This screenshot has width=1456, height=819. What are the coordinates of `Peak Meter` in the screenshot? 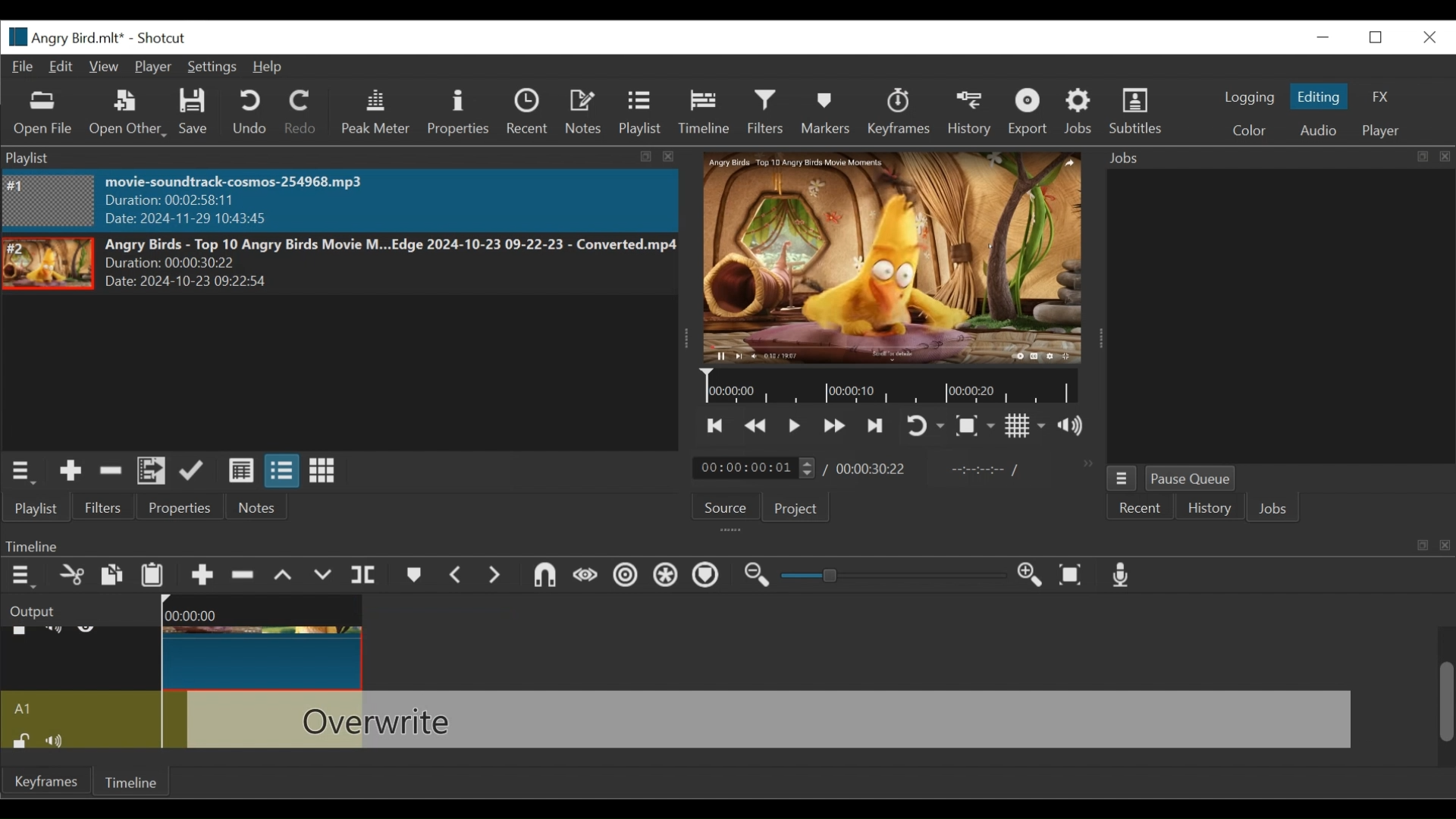 It's located at (375, 114).